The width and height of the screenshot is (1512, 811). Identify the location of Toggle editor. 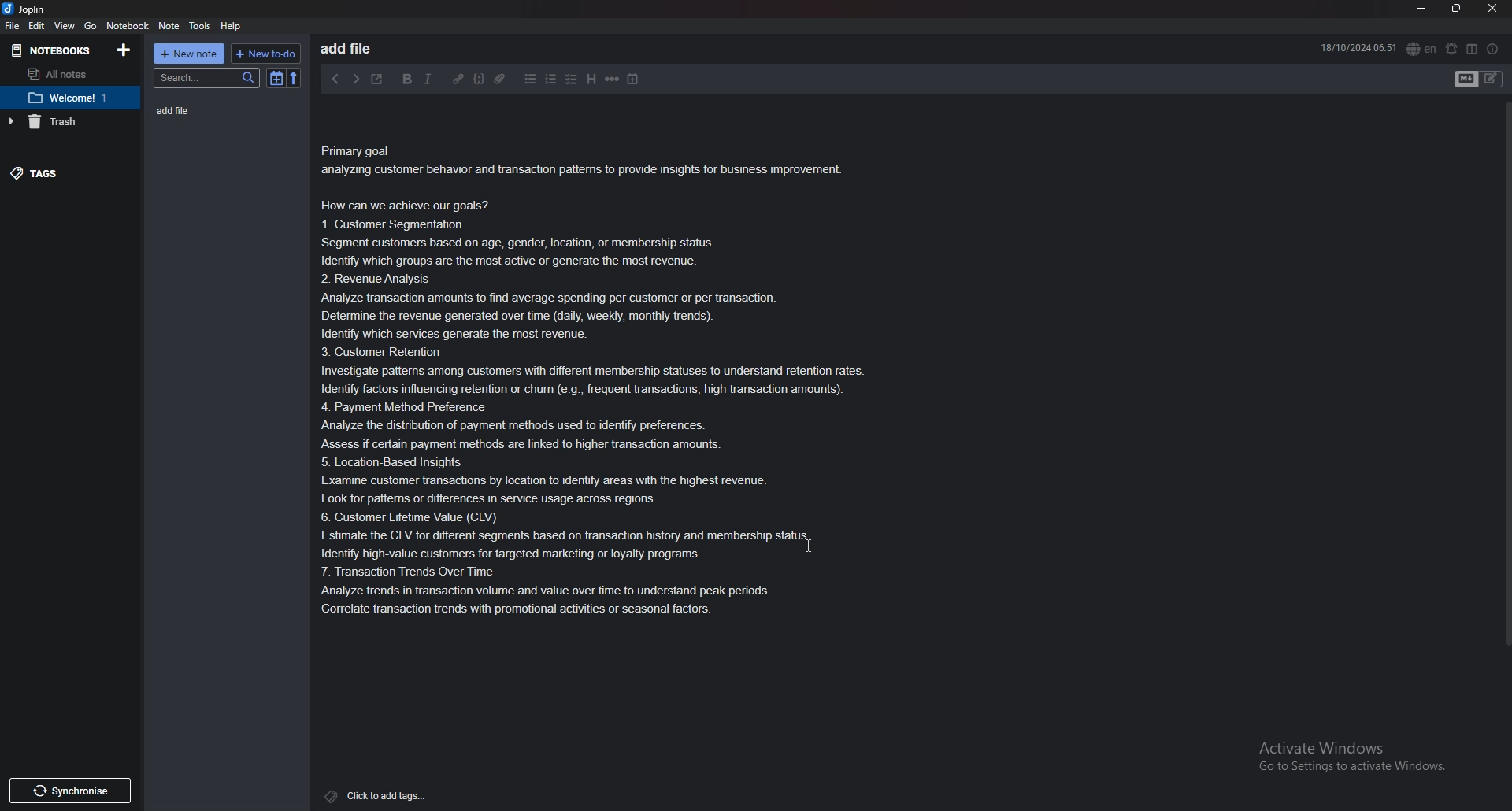
(1480, 78).